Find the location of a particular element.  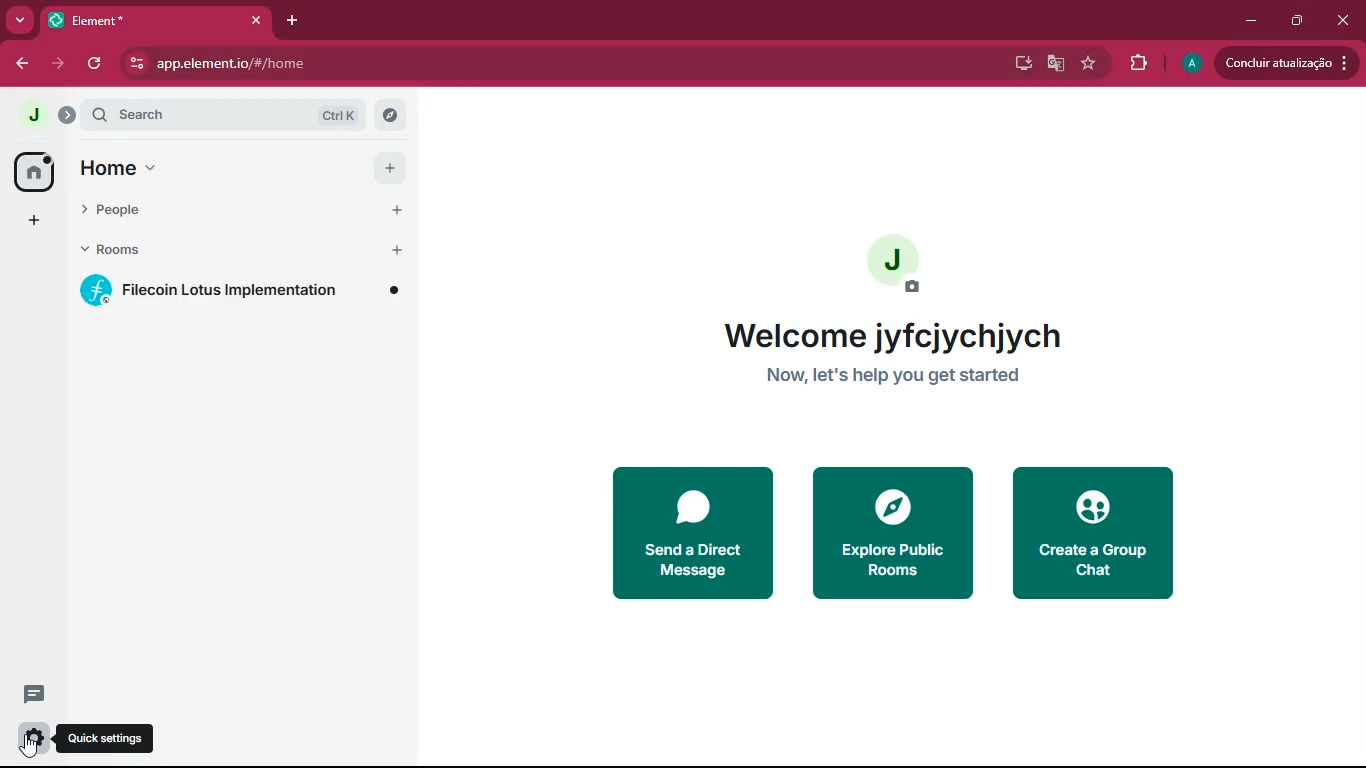

refresh is located at coordinates (96, 64).